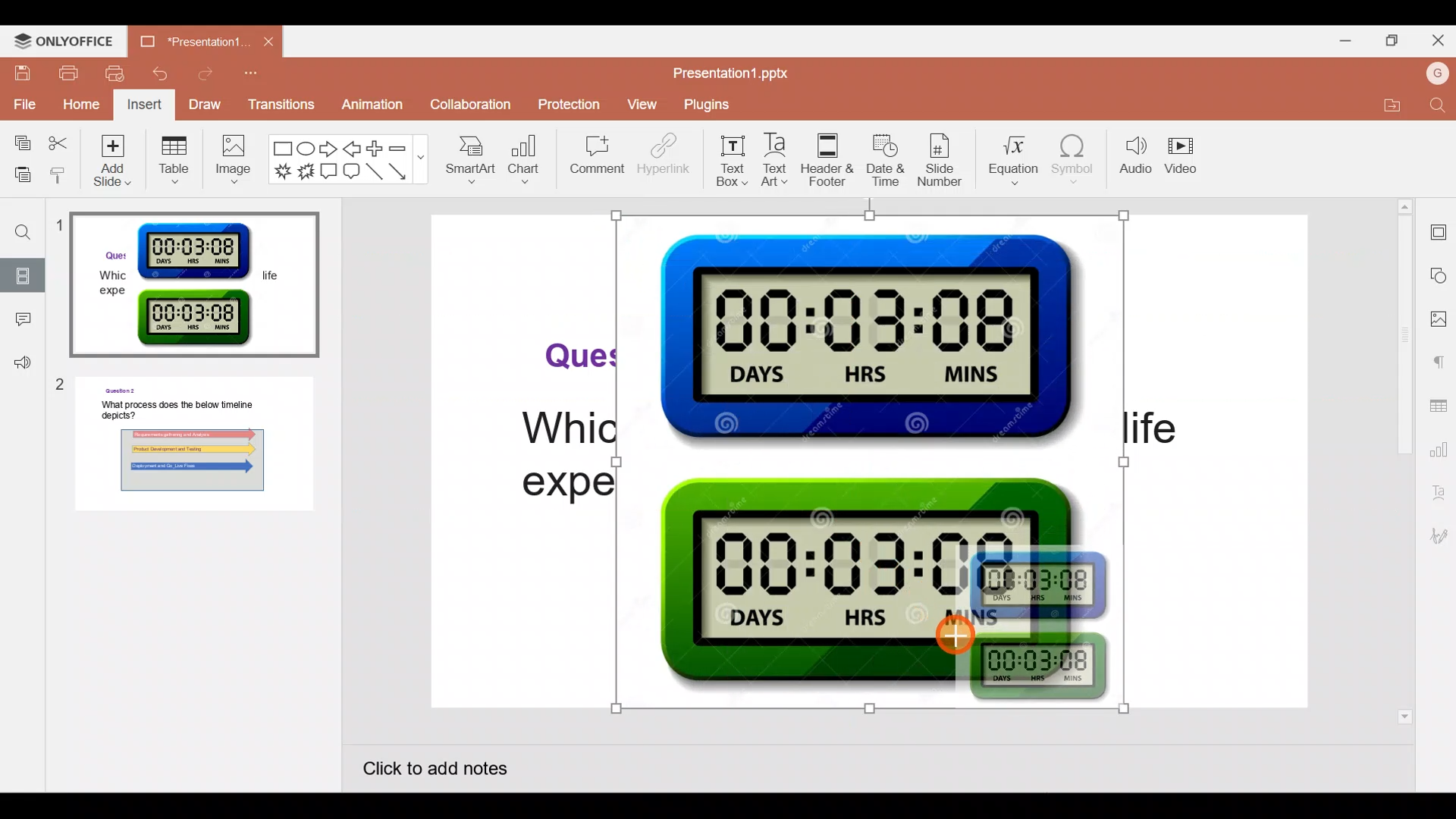 The height and width of the screenshot is (819, 1456). What do you see at coordinates (233, 162) in the screenshot?
I see `Image` at bounding box center [233, 162].